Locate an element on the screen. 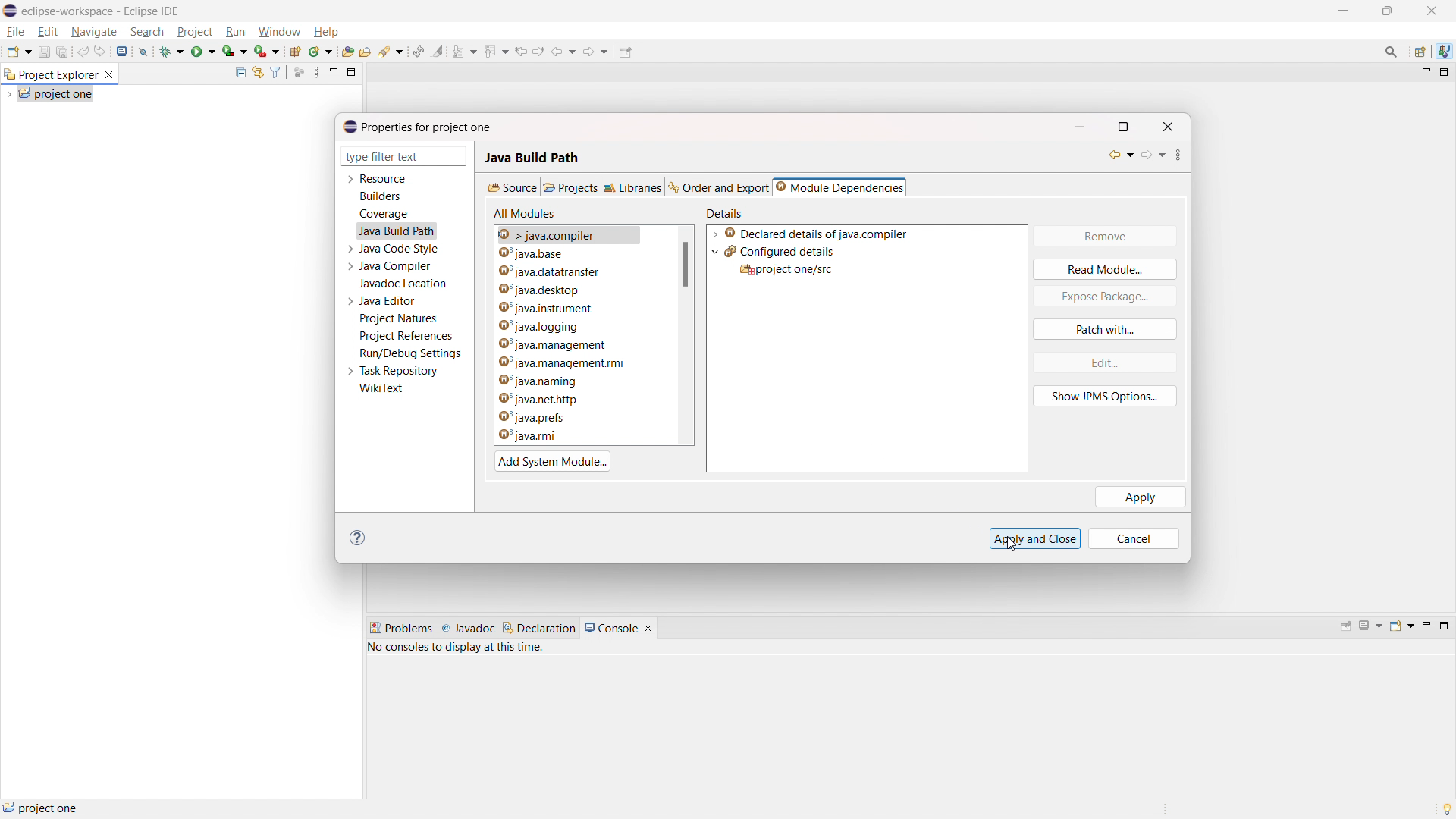 The height and width of the screenshot is (819, 1456). new java class is located at coordinates (321, 52).